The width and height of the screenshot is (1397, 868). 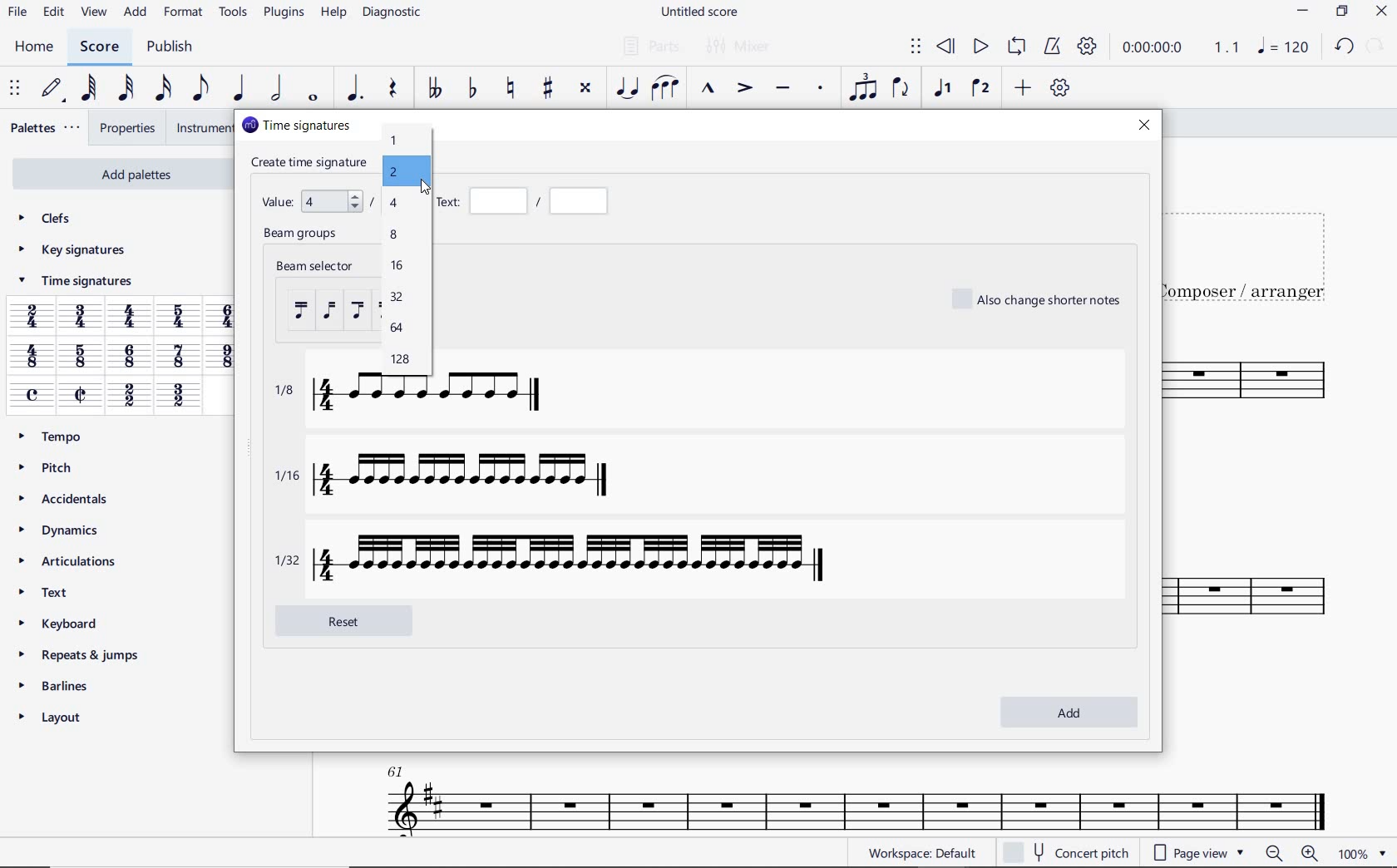 I want to click on METRONOME, so click(x=1052, y=47).